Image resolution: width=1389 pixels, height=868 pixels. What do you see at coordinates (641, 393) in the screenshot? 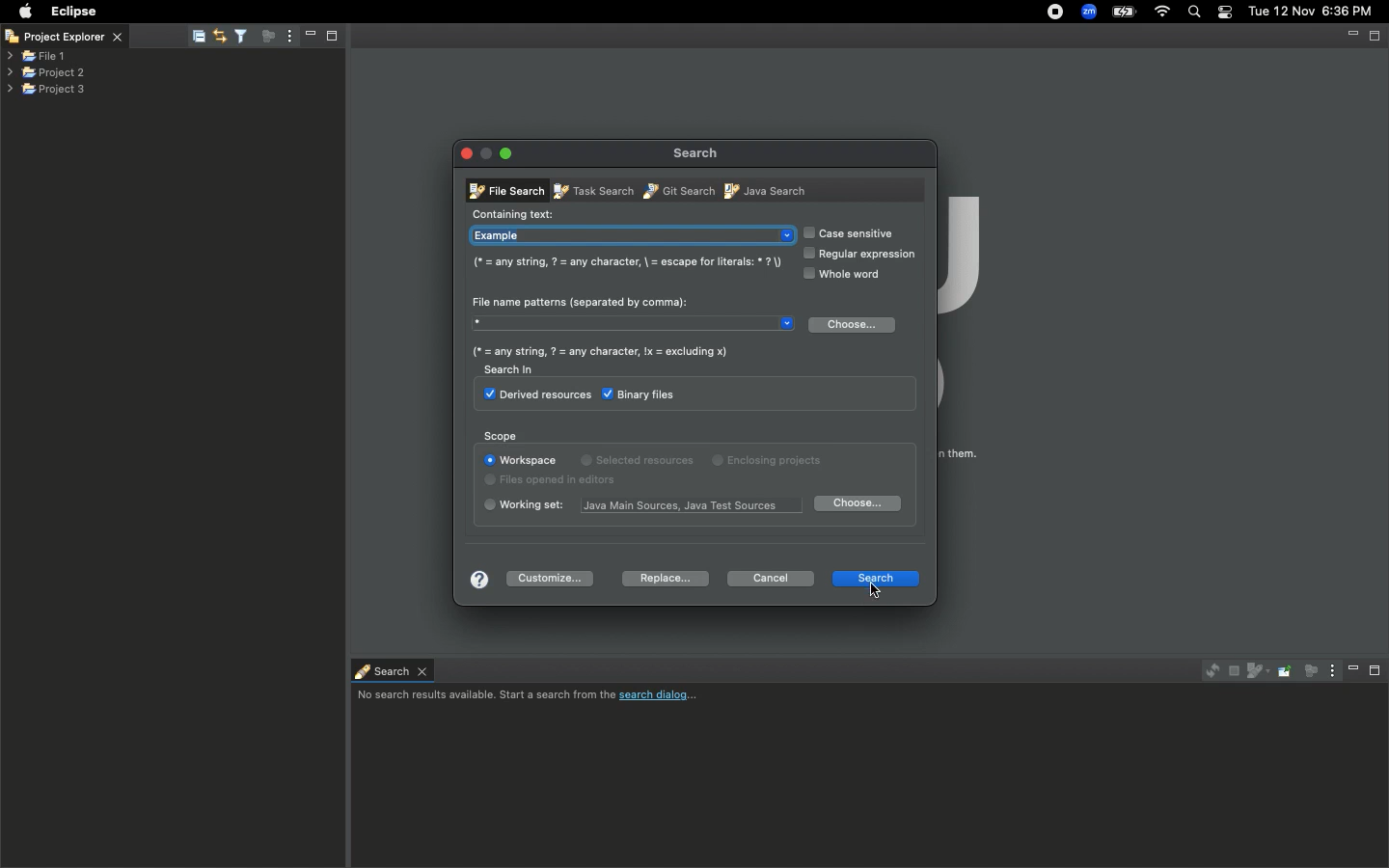
I see `Binary files` at bounding box center [641, 393].